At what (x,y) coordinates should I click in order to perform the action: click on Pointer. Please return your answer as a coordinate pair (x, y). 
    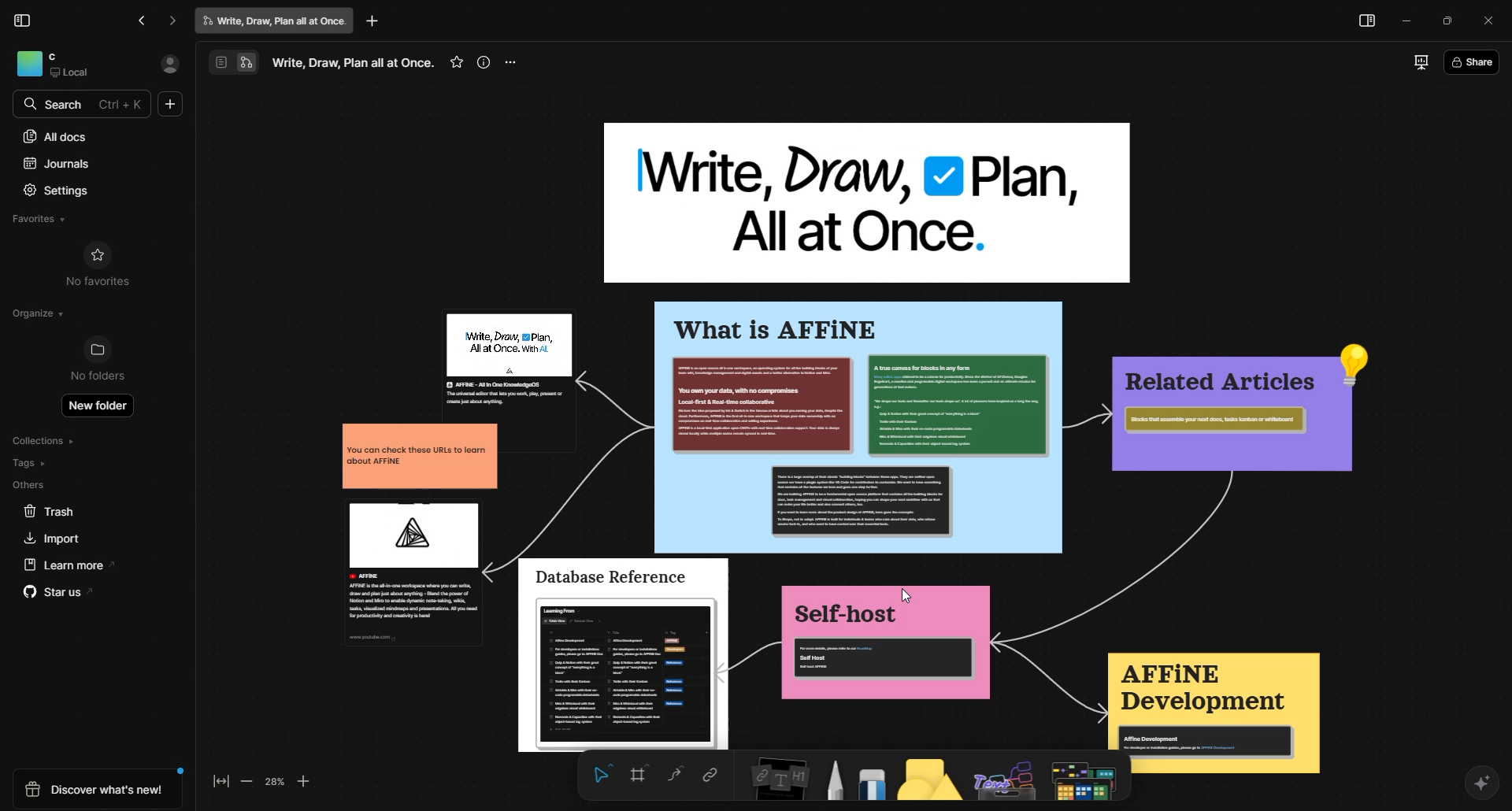
    Looking at the image, I should click on (598, 775).